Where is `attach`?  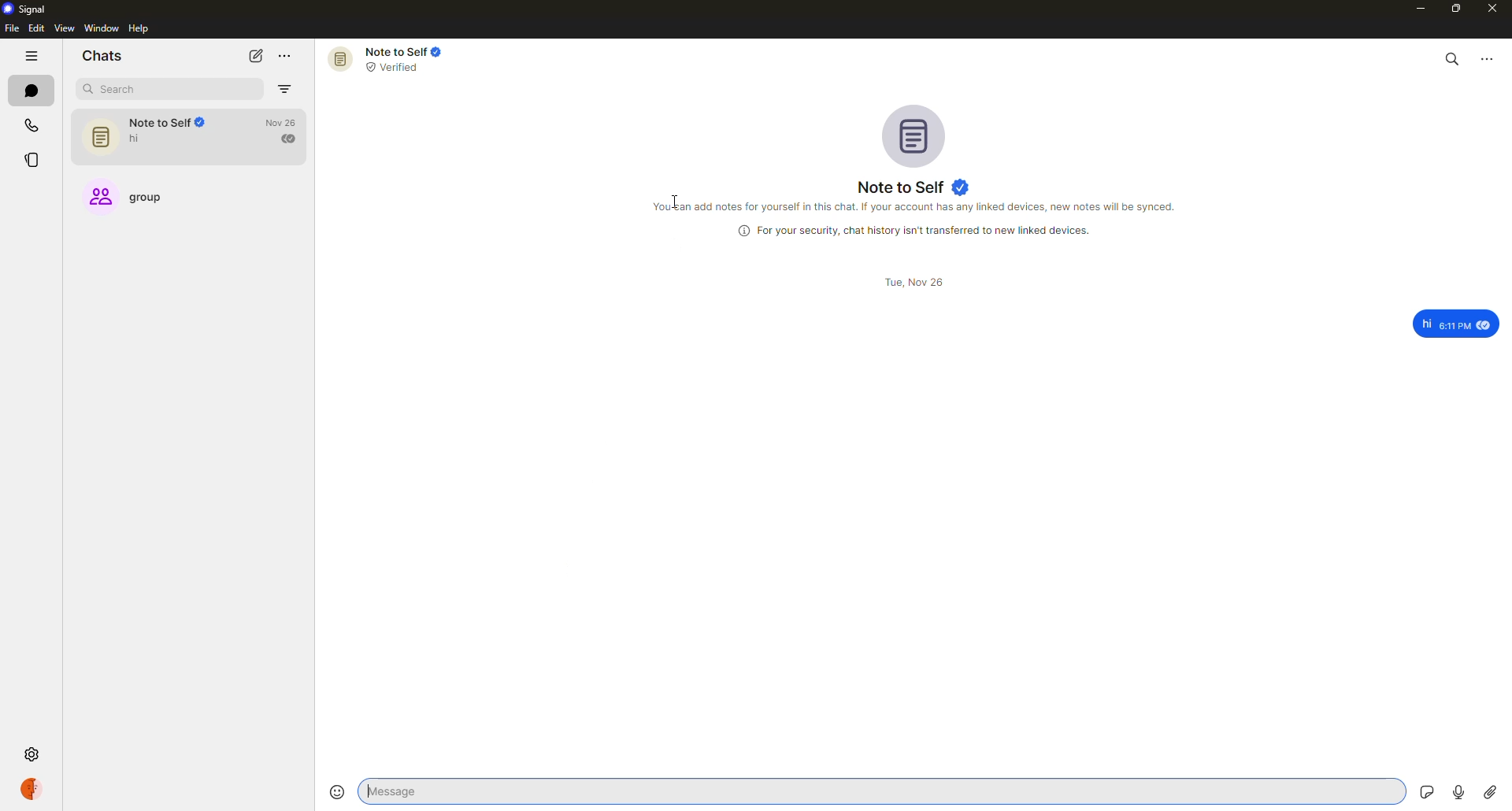 attach is located at coordinates (1489, 793).